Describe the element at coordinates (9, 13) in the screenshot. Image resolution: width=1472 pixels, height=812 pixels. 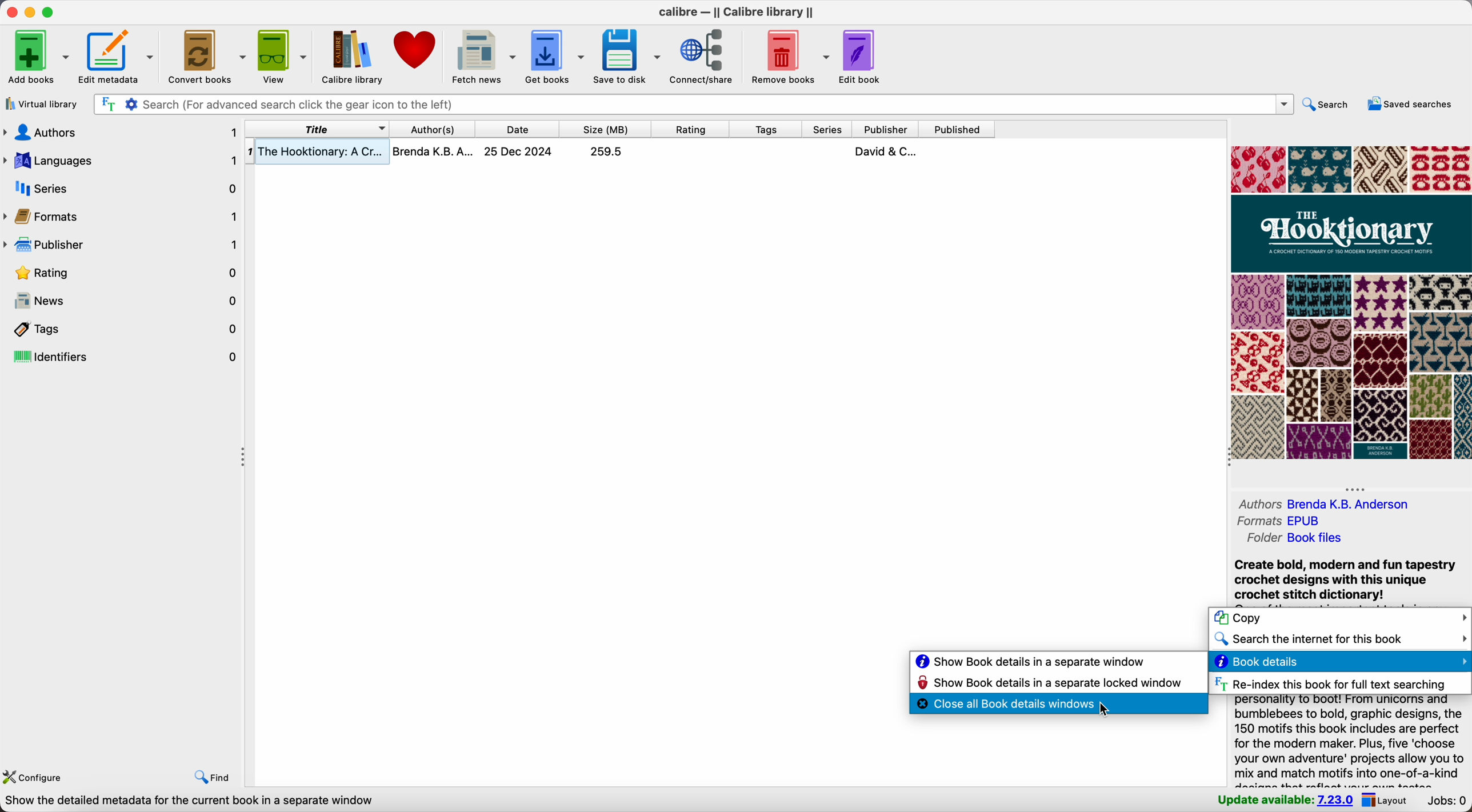
I see `close` at that location.